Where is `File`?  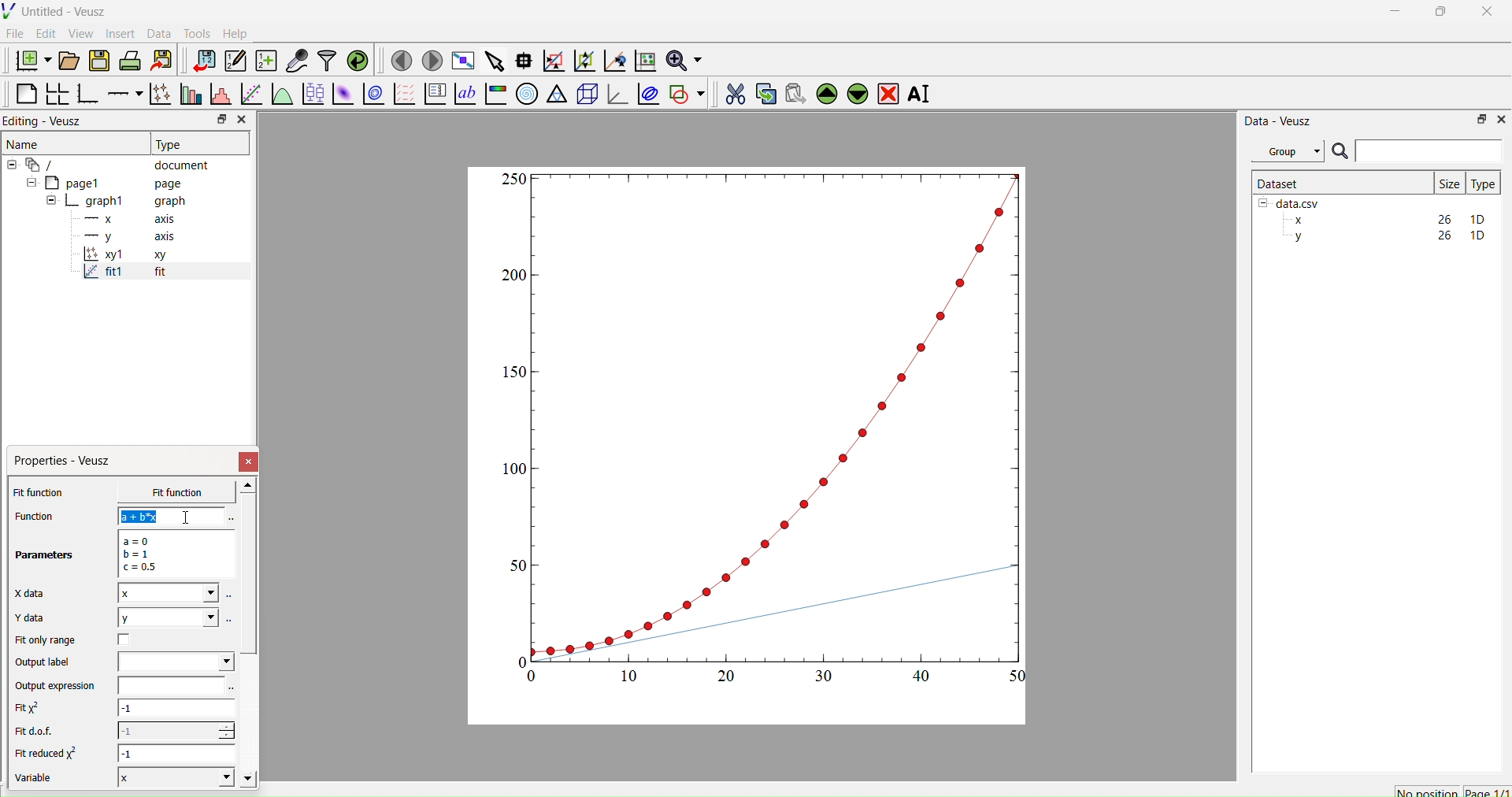
File is located at coordinates (15, 33).